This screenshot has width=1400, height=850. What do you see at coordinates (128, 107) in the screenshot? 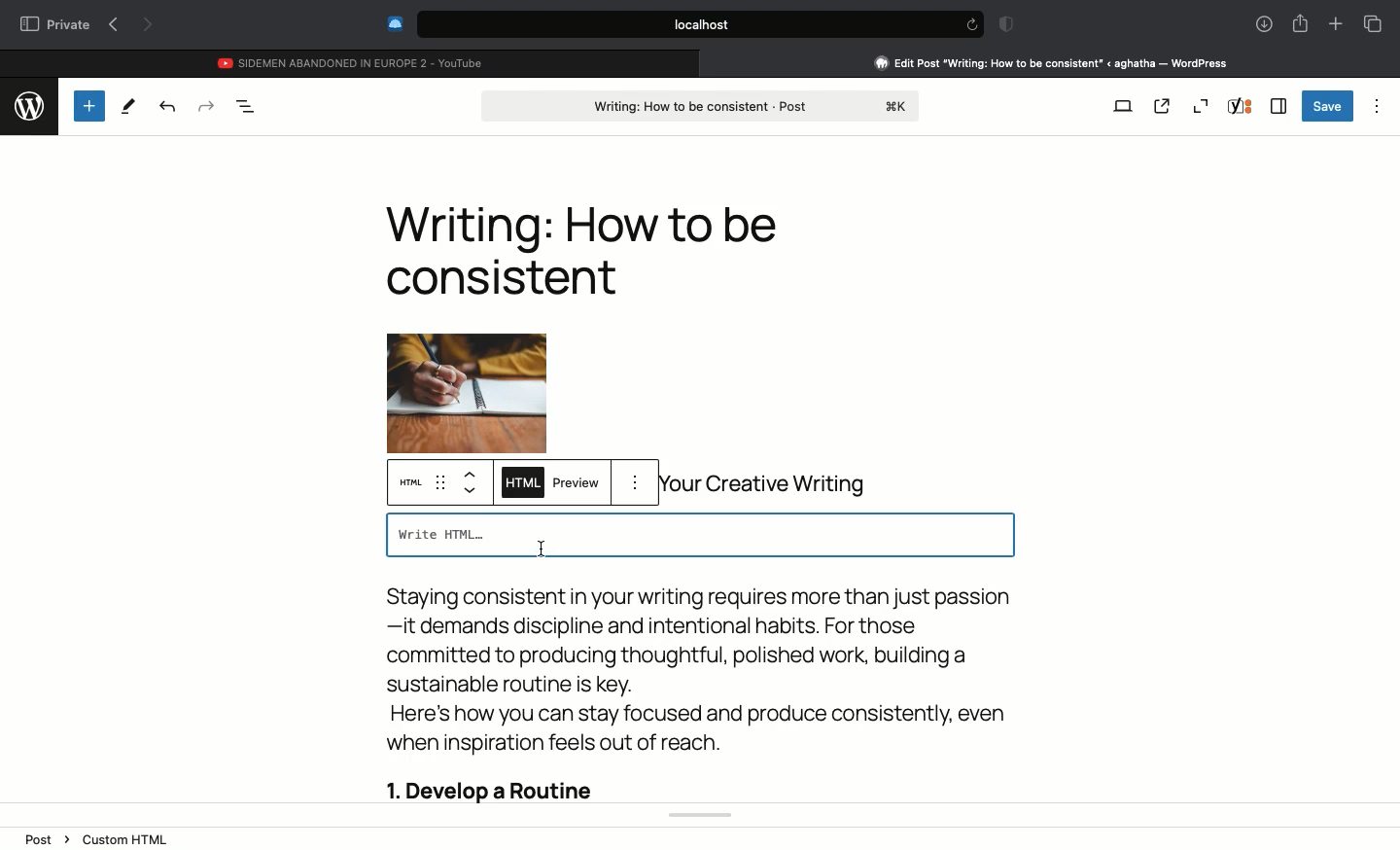
I see `Tools` at bounding box center [128, 107].